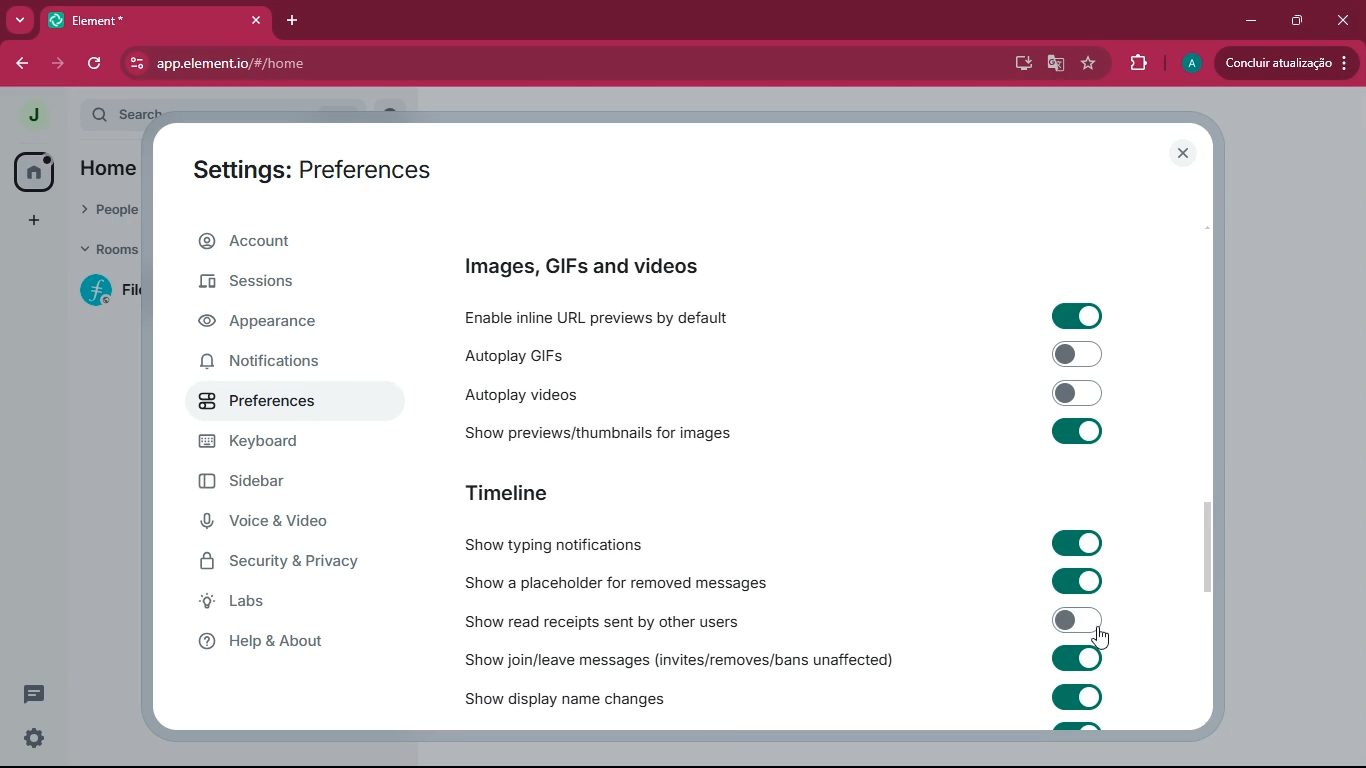 The height and width of the screenshot is (768, 1366). I want to click on toggled off, so click(1078, 620).